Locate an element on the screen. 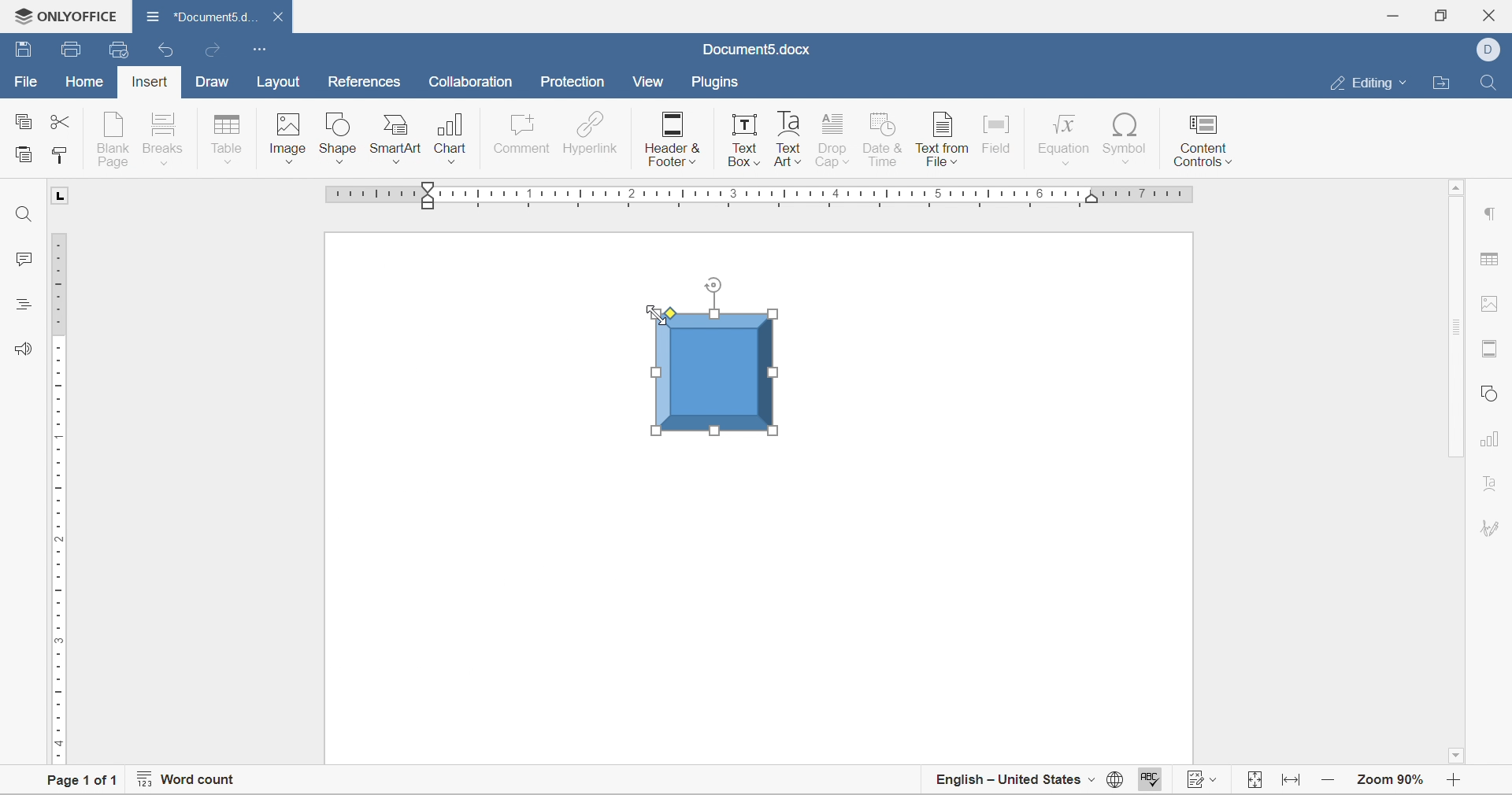  spell checking is located at coordinates (1148, 780).